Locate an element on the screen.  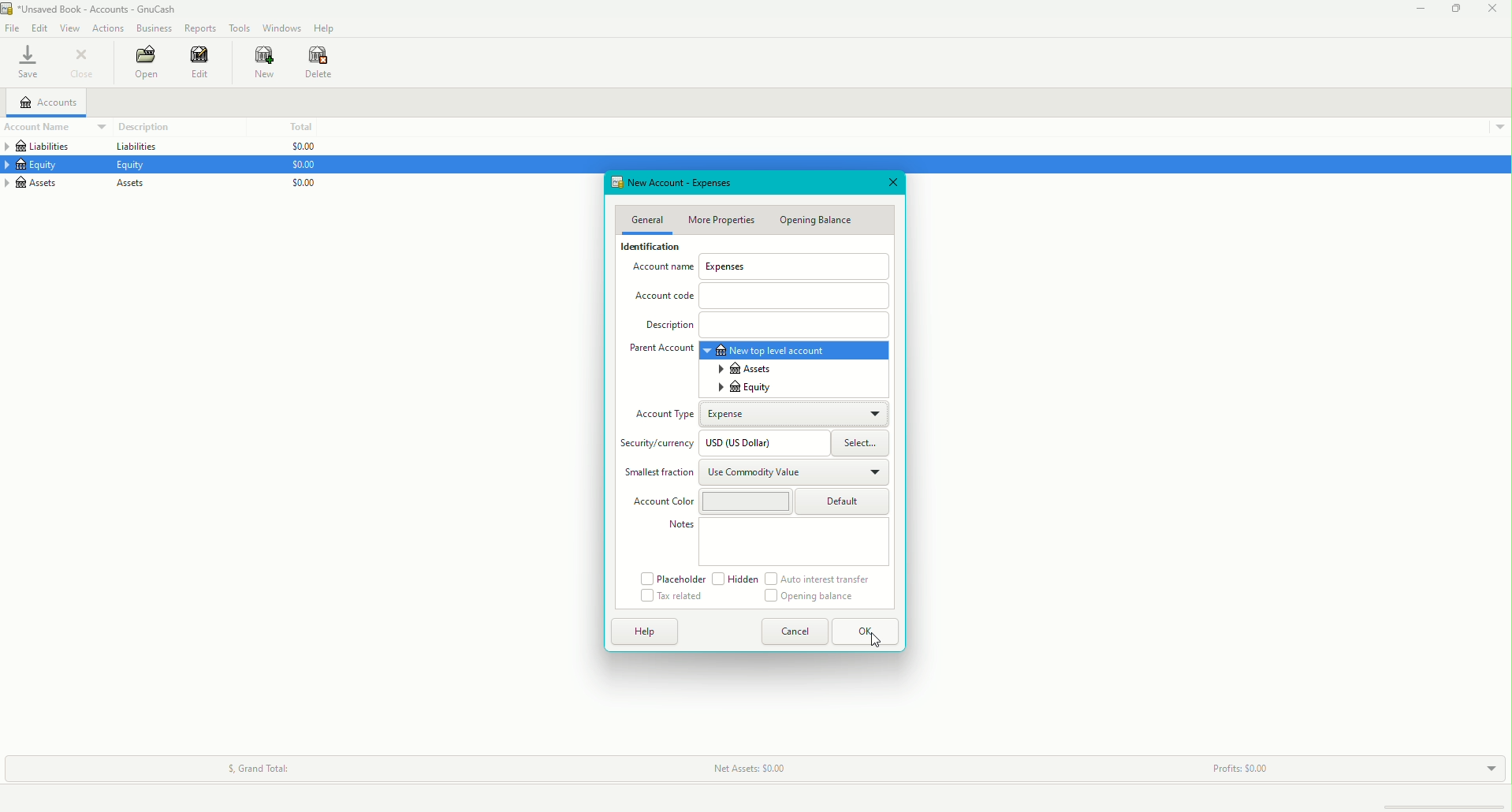
Placeholder is located at coordinates (672, 579).